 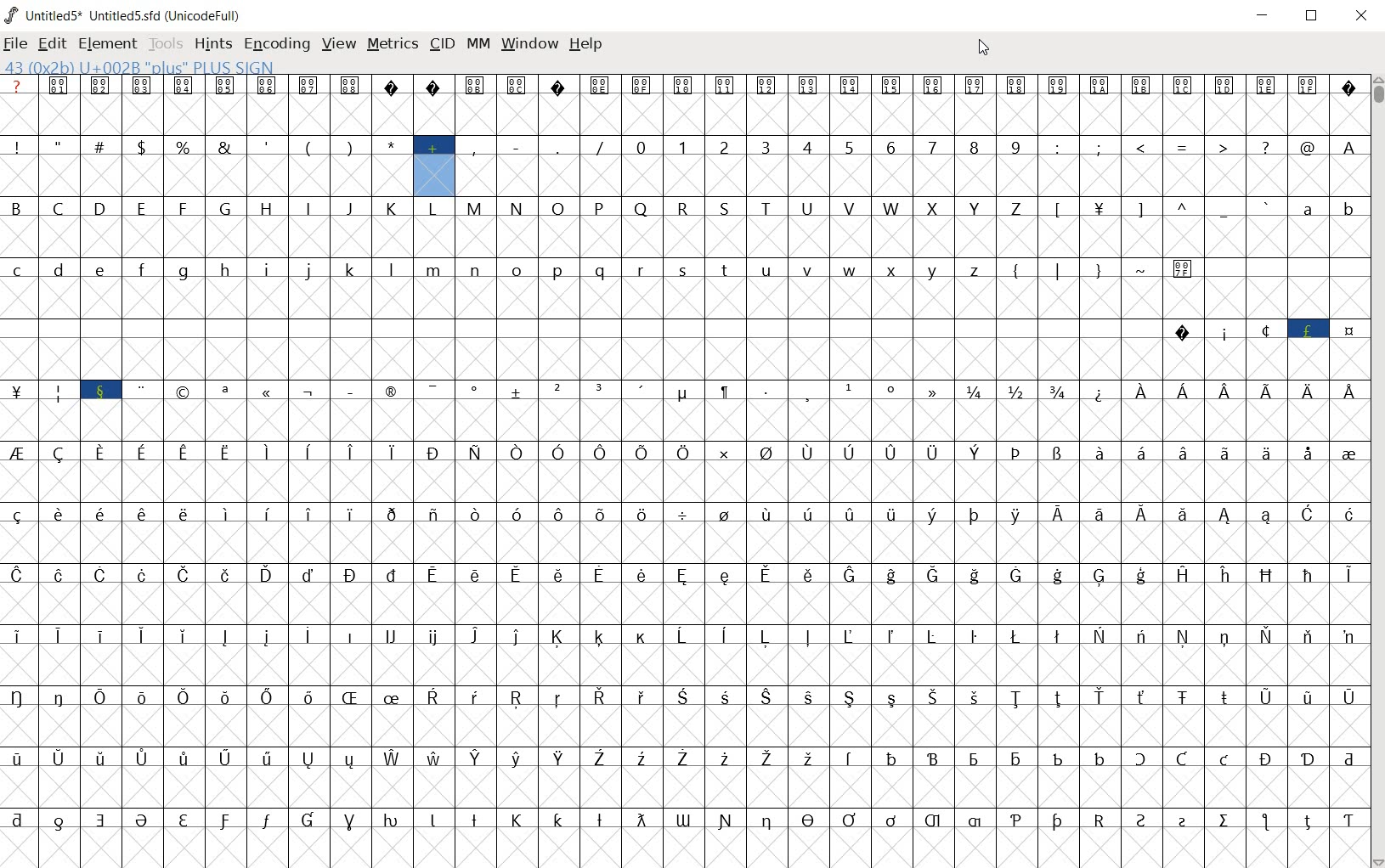 I want to click on cid, so click(x=441, y=42).